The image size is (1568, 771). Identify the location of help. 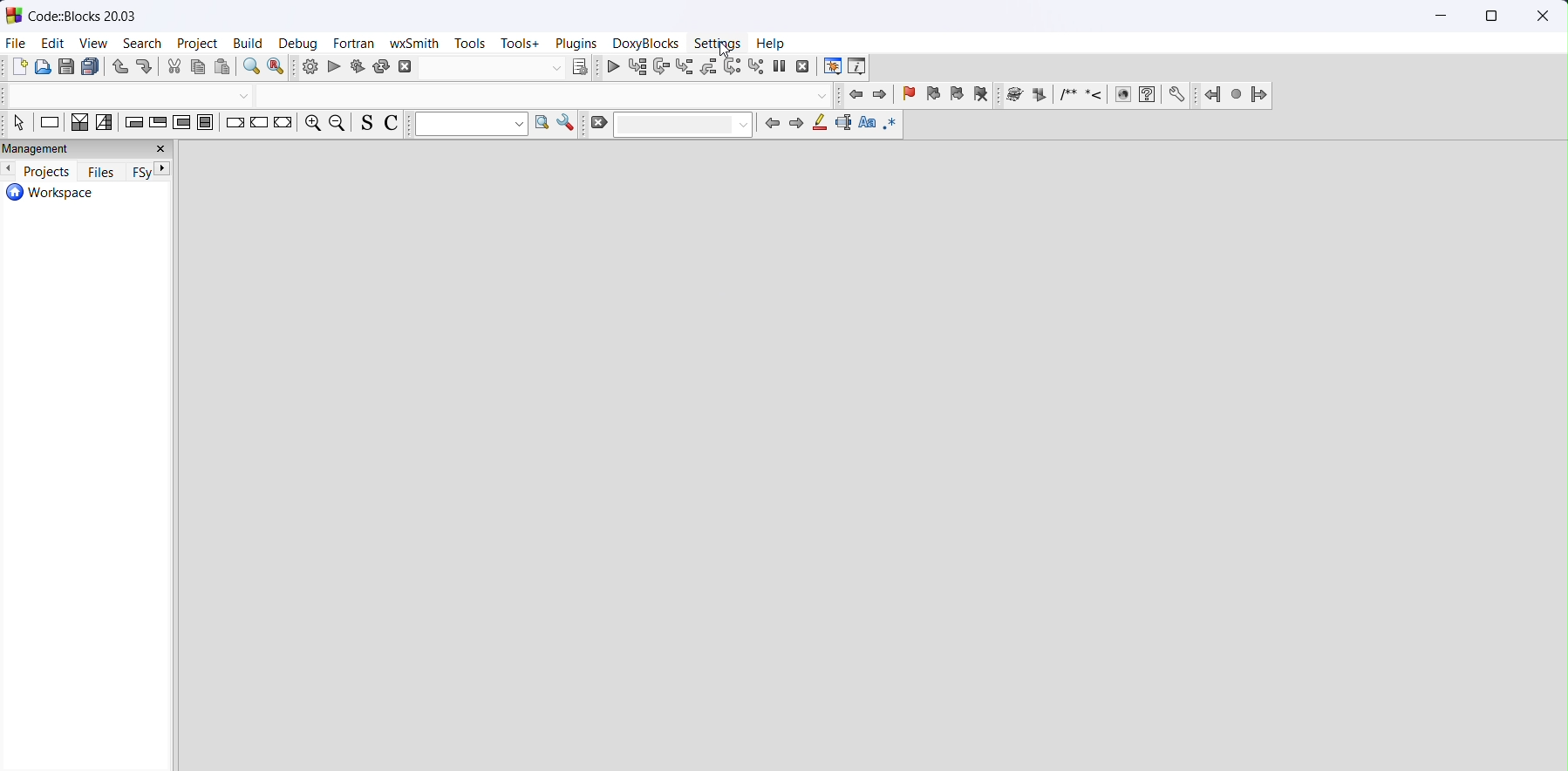
(772, 44).